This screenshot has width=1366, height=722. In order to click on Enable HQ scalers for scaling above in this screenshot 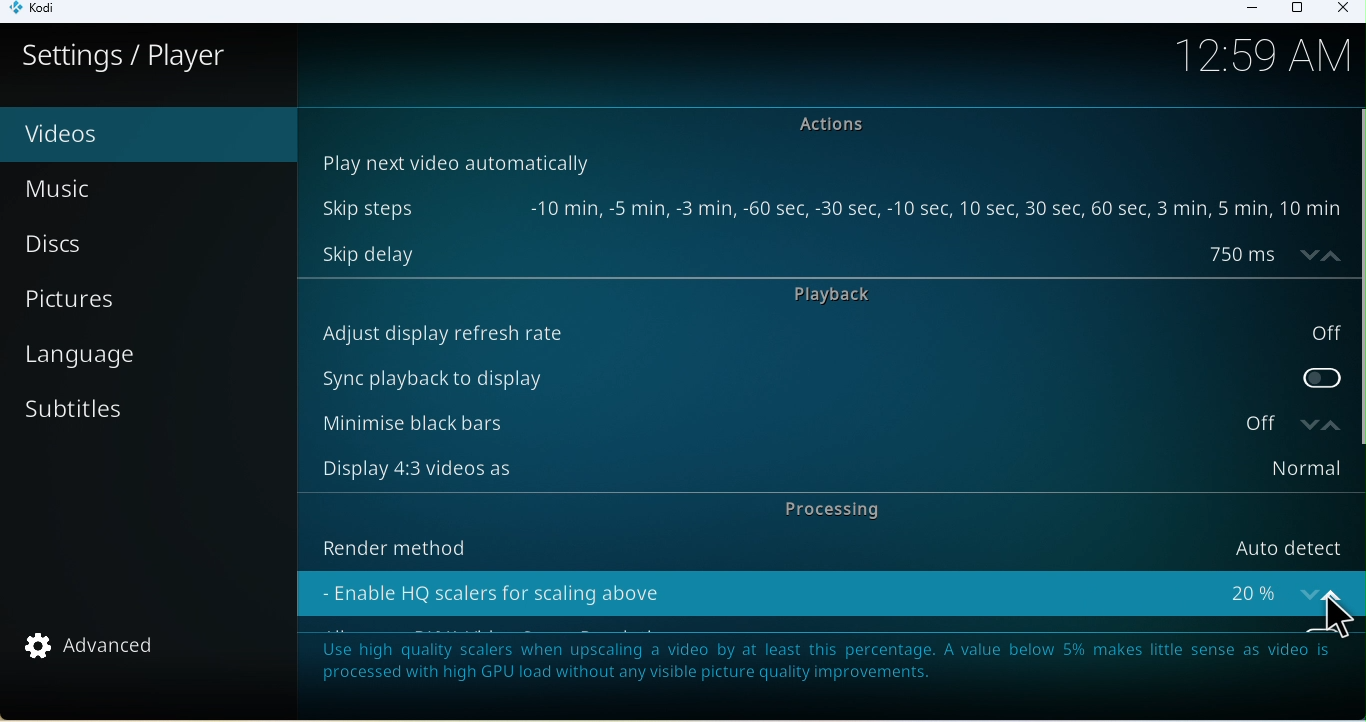, I will do `click(800, 589)`.